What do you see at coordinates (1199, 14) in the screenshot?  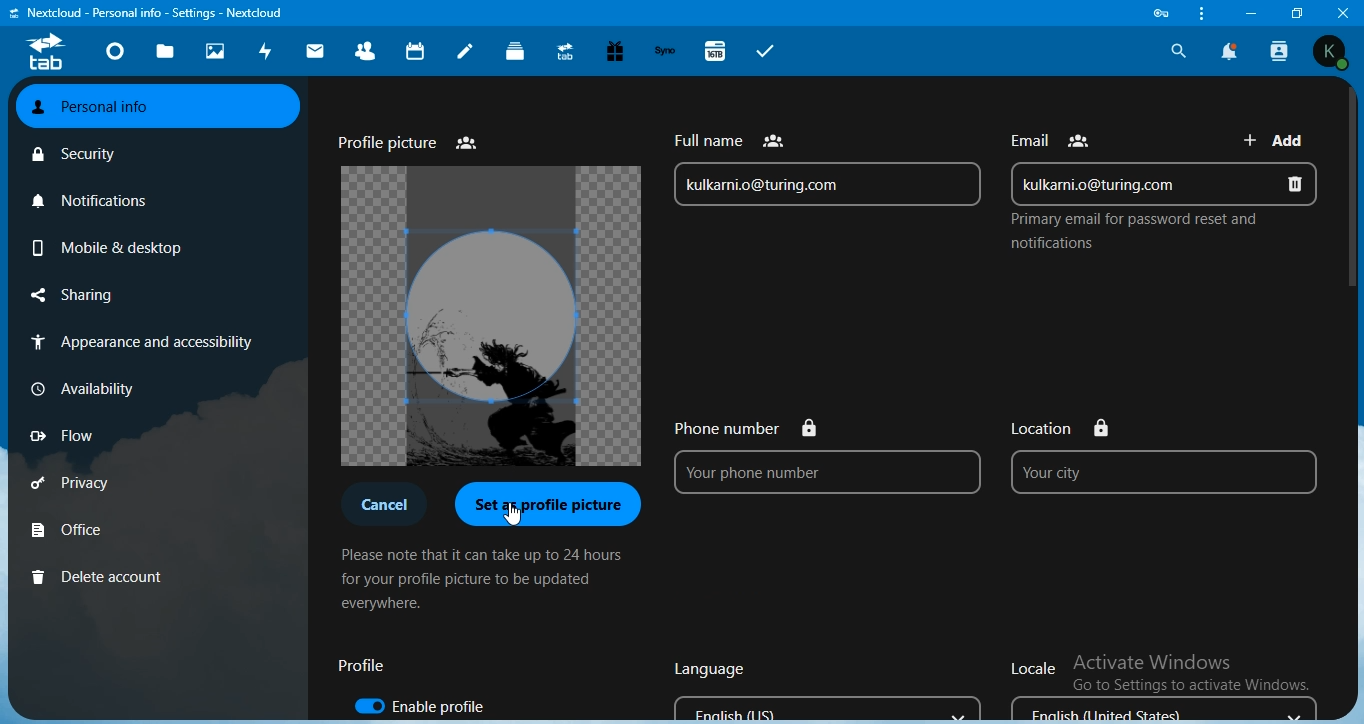 I see `customize & control nextcloud` at bounding box center [1199, 14].